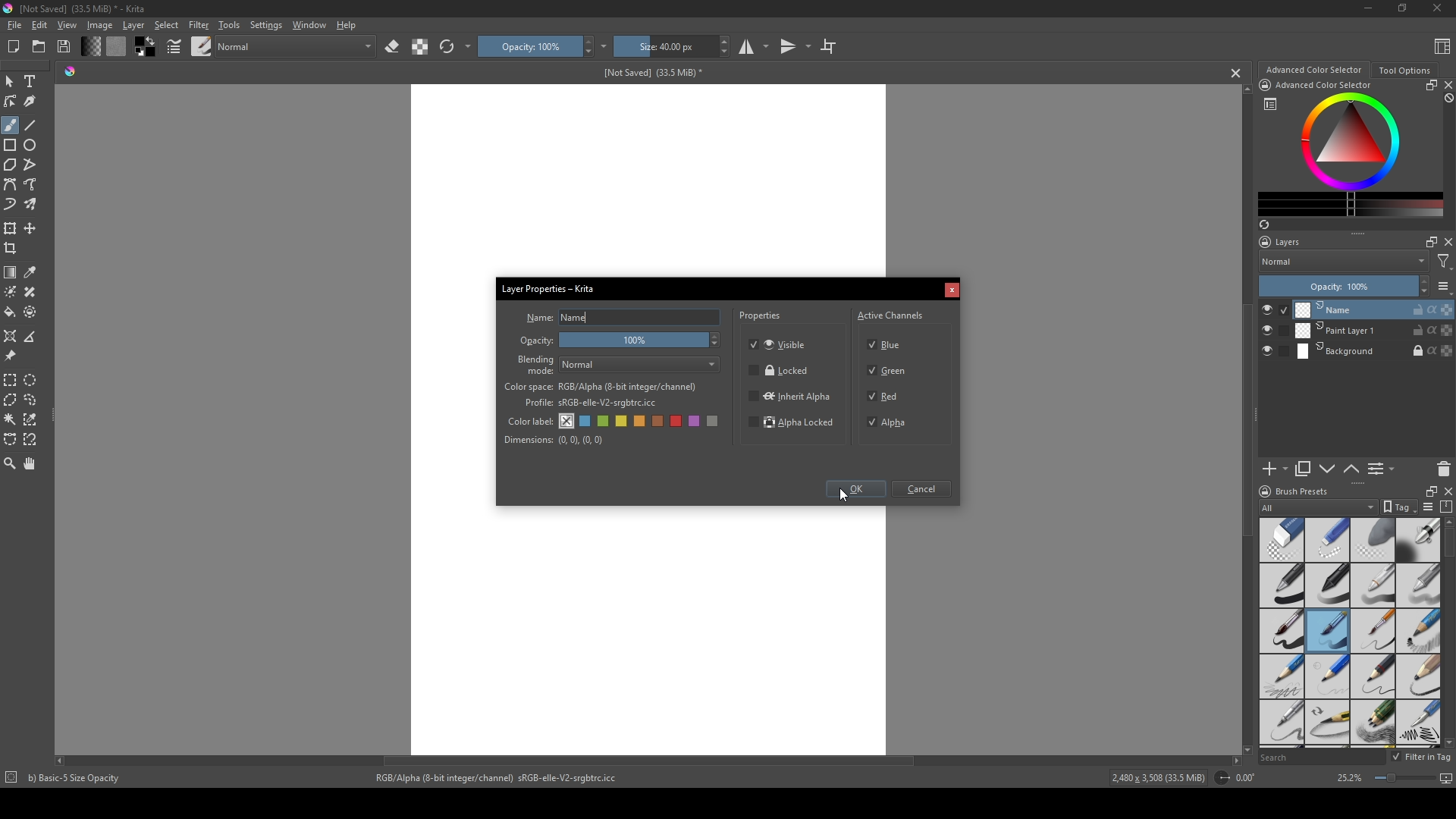  I want to click on scroll down, so click(1447, 742).